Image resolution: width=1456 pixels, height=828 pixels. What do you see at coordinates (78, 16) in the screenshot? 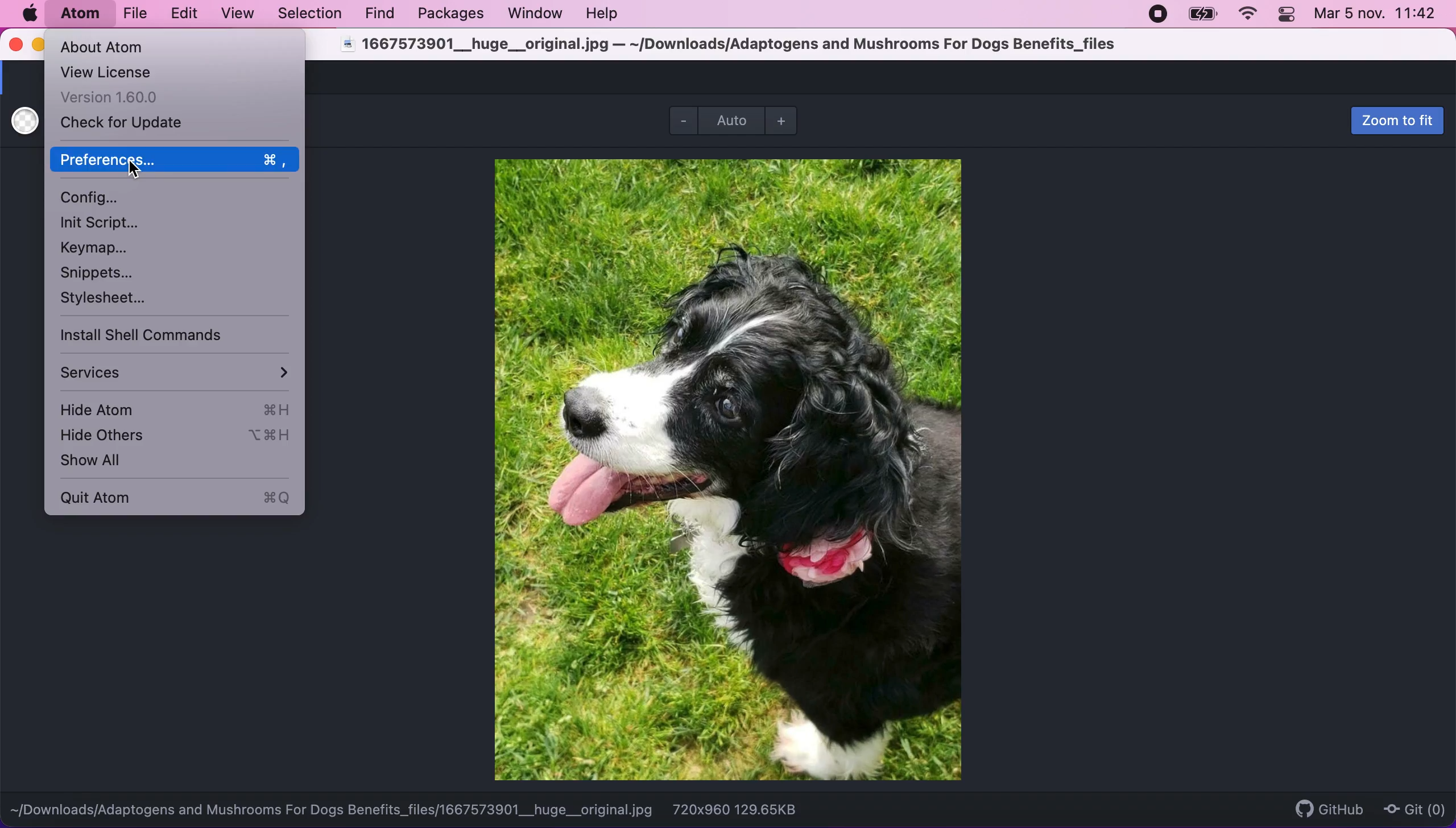
I see `atom` at bounding box center [78, 16].